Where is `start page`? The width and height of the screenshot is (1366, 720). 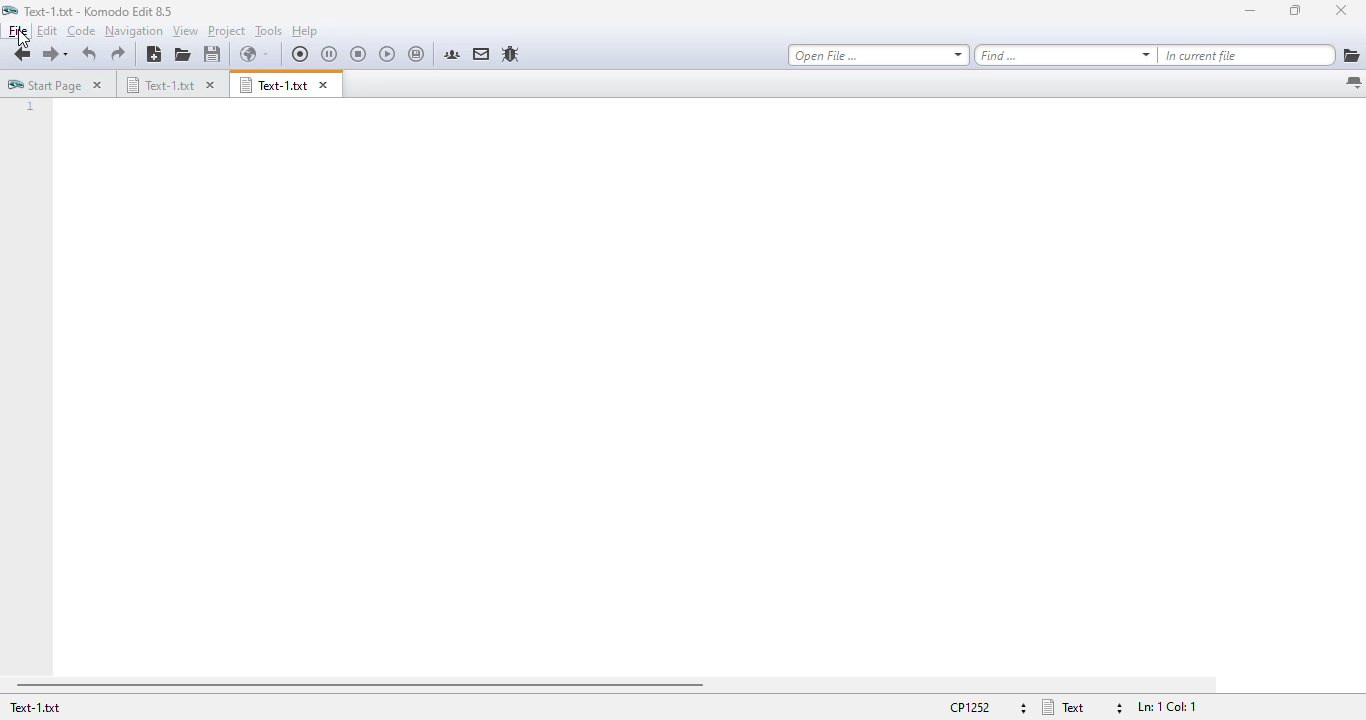
start page is located at coordinates (44, 84).